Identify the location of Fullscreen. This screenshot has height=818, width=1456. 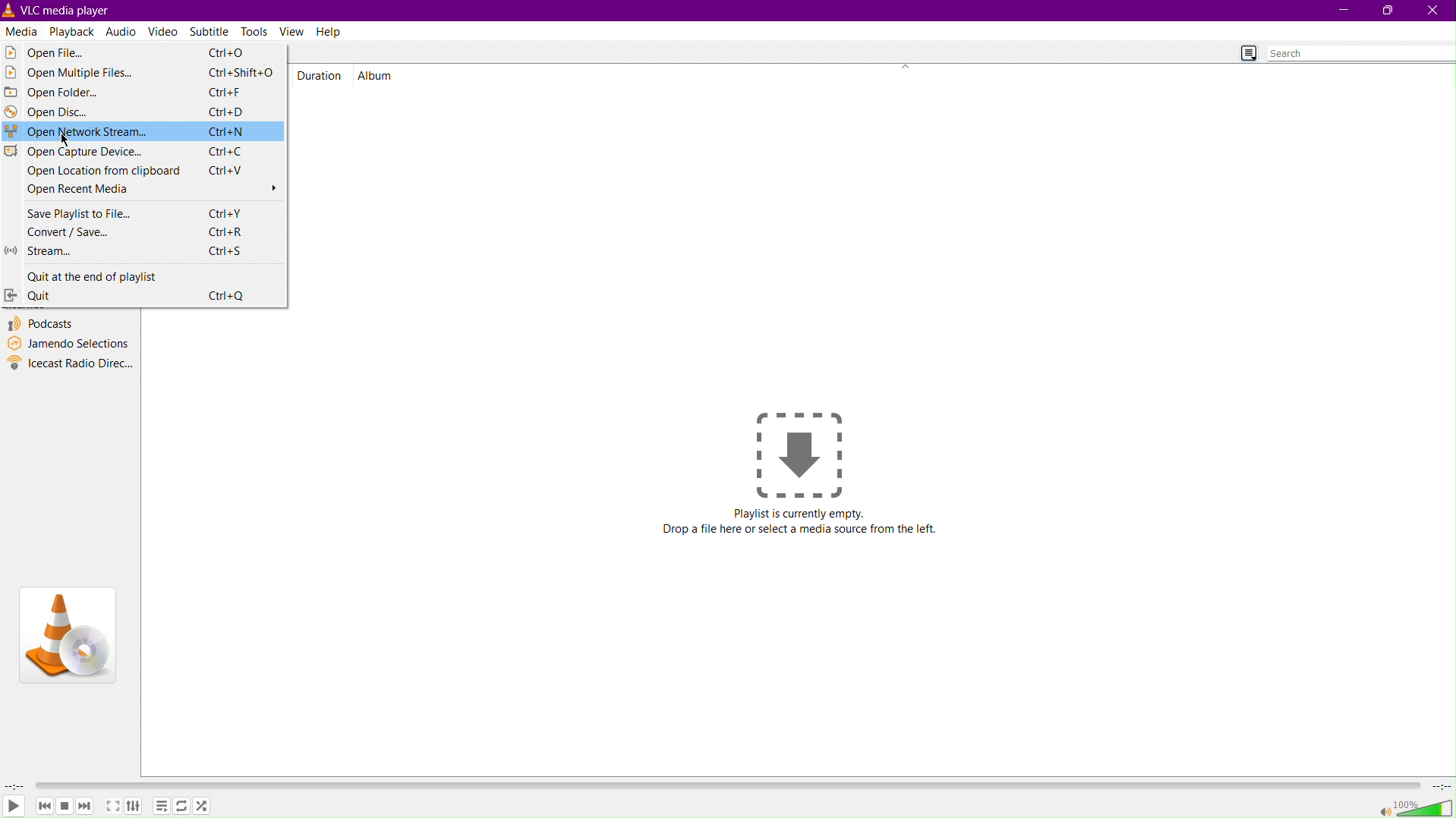
(113, 806).